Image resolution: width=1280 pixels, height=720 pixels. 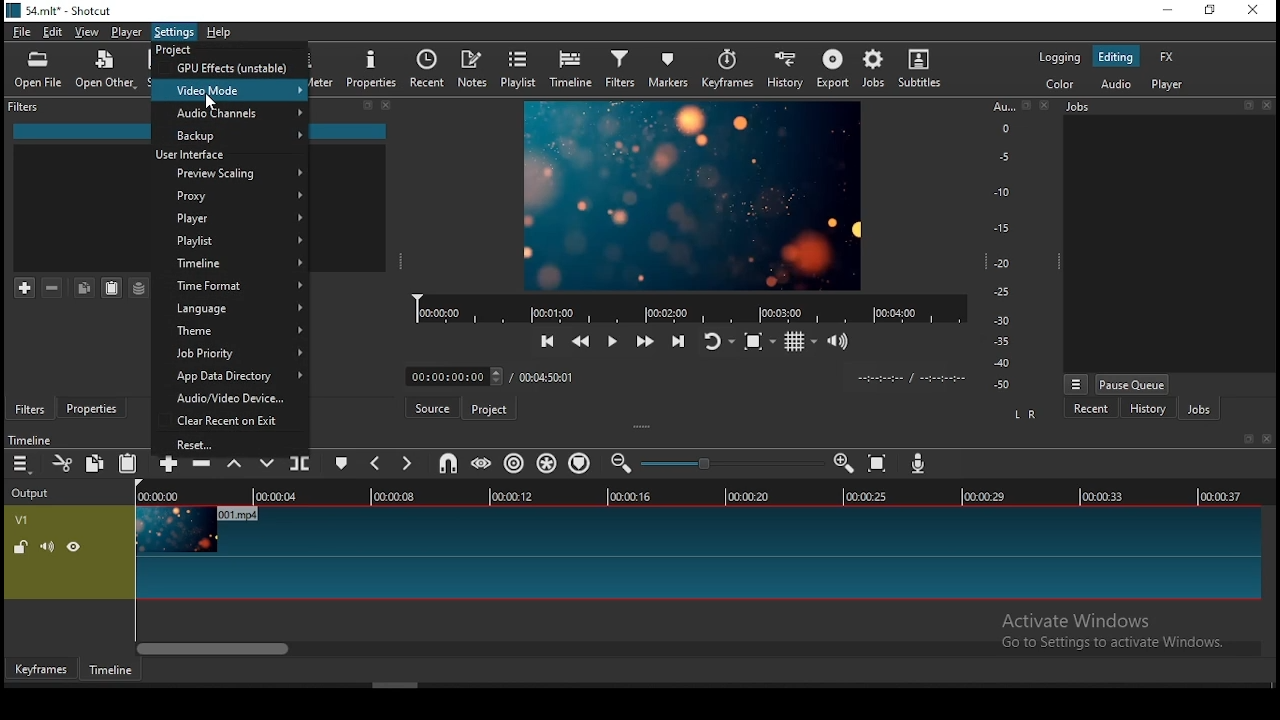 What do you see at coordinates (230, 242) in the screenshot?
I see `playlist` at bounding box center [230, 242].